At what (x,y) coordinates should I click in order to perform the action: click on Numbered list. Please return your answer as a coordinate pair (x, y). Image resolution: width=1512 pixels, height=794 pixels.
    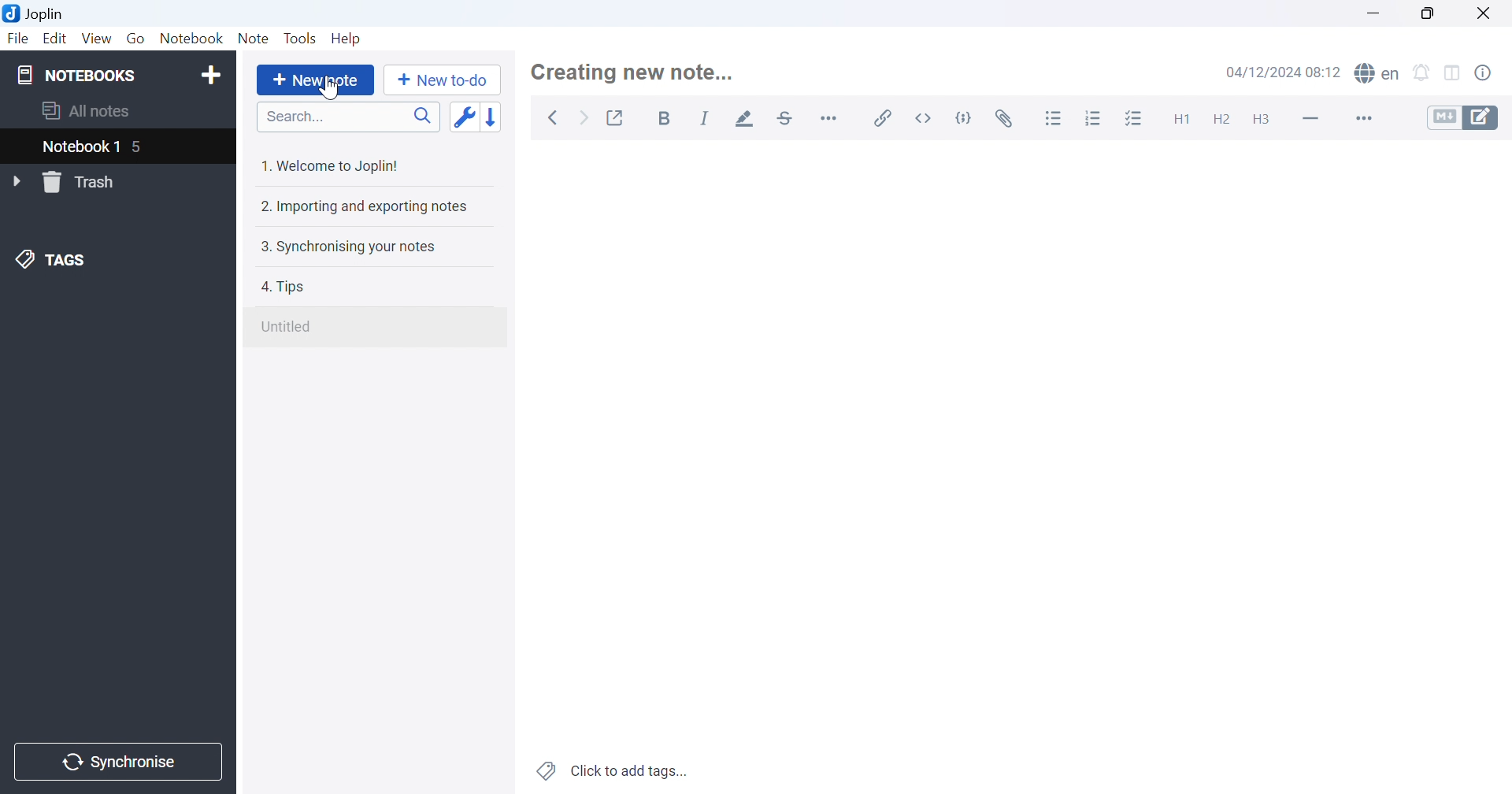
    Looking at the image, I should click on (1093, 119).